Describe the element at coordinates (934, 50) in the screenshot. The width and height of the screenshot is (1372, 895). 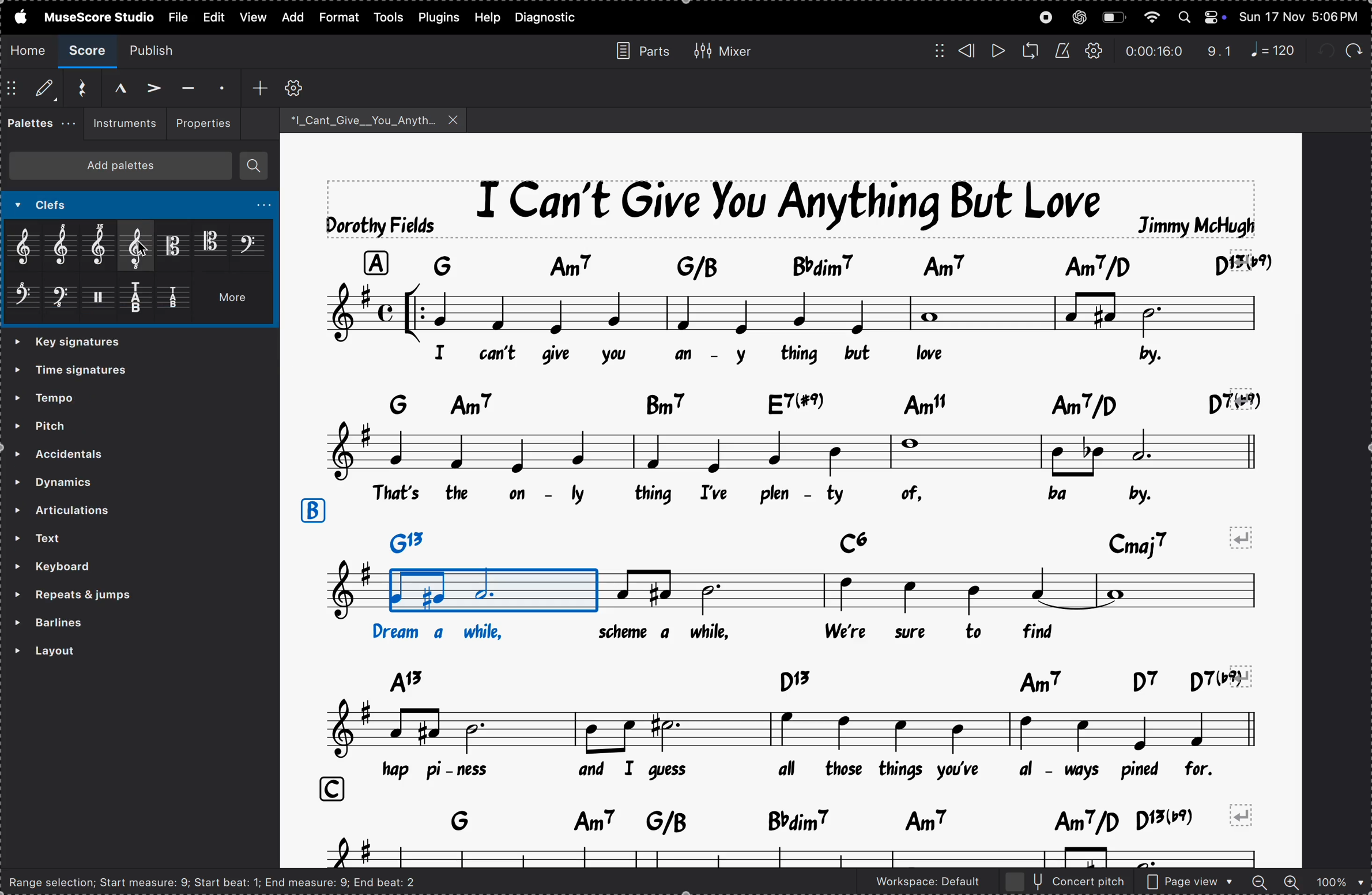
I see `matrix` at that location.